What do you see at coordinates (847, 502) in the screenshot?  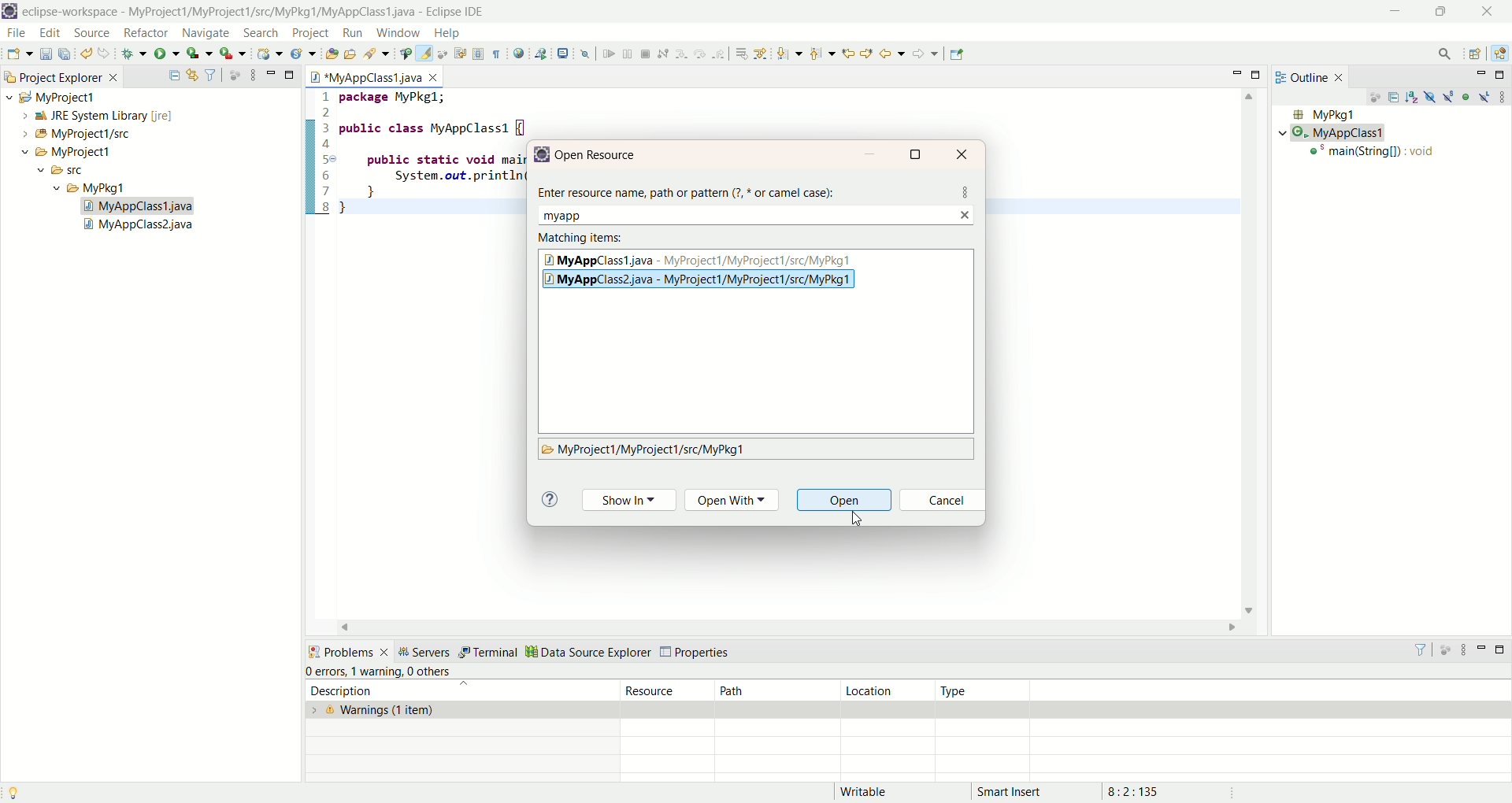 I see `open` at bounding box center [847, 502].